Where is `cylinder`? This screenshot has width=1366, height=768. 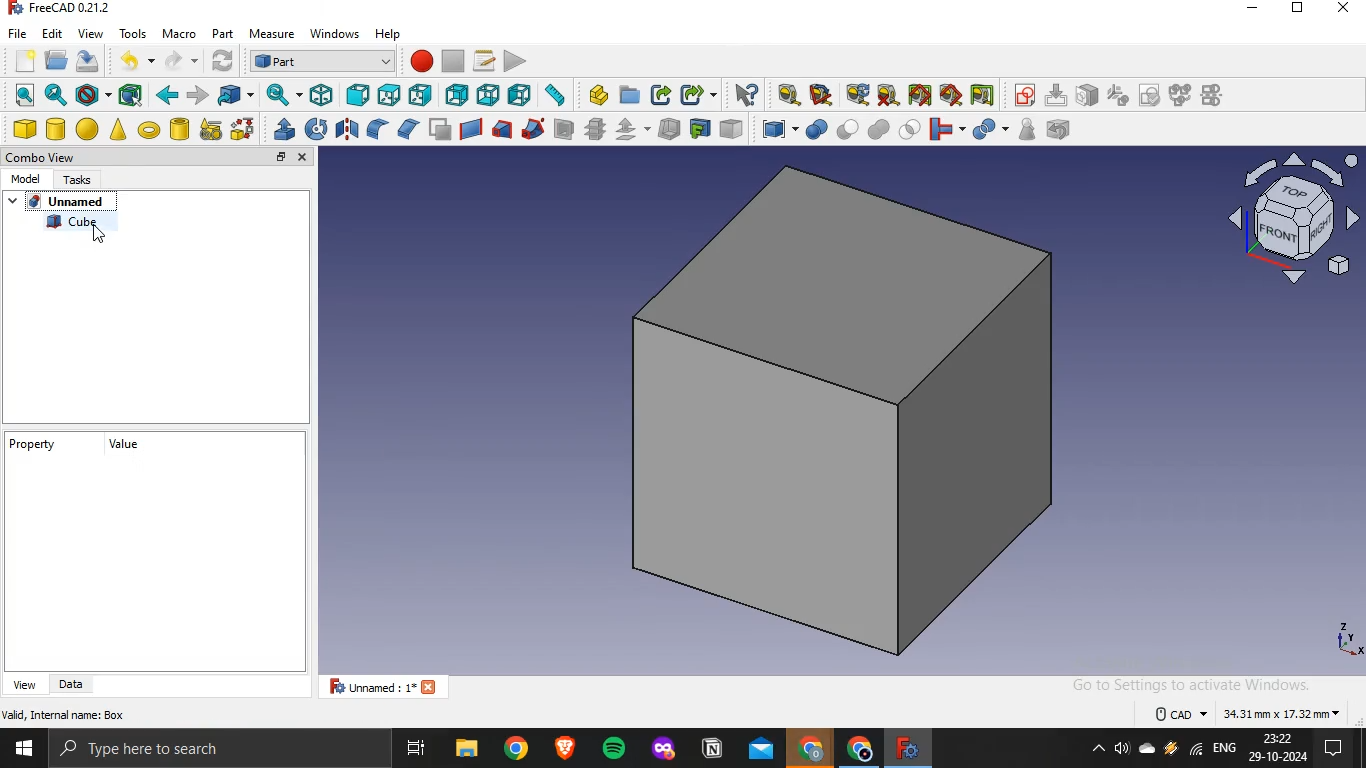
cylinder is located at coordinates (57, 129).